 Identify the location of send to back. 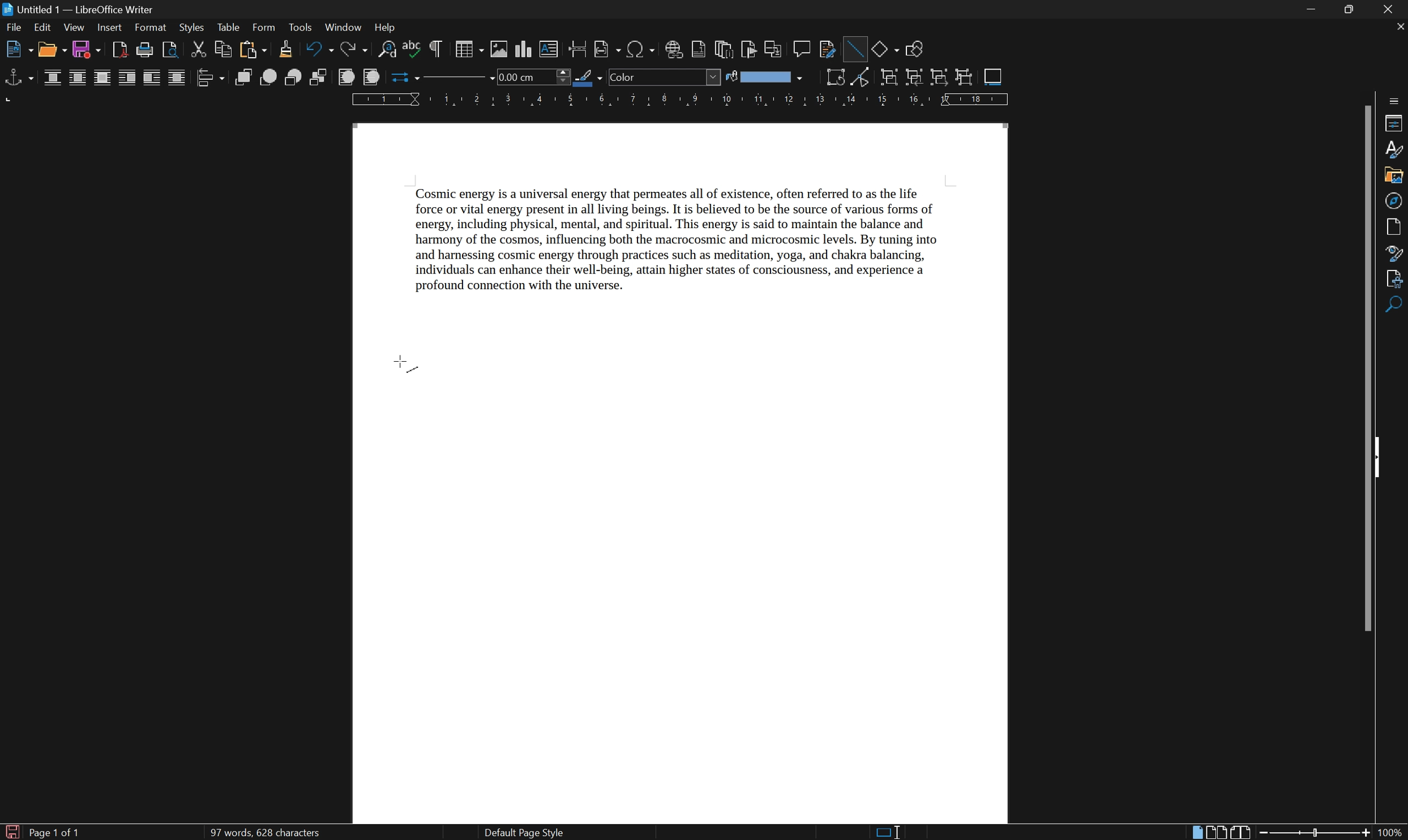
(320, 78).